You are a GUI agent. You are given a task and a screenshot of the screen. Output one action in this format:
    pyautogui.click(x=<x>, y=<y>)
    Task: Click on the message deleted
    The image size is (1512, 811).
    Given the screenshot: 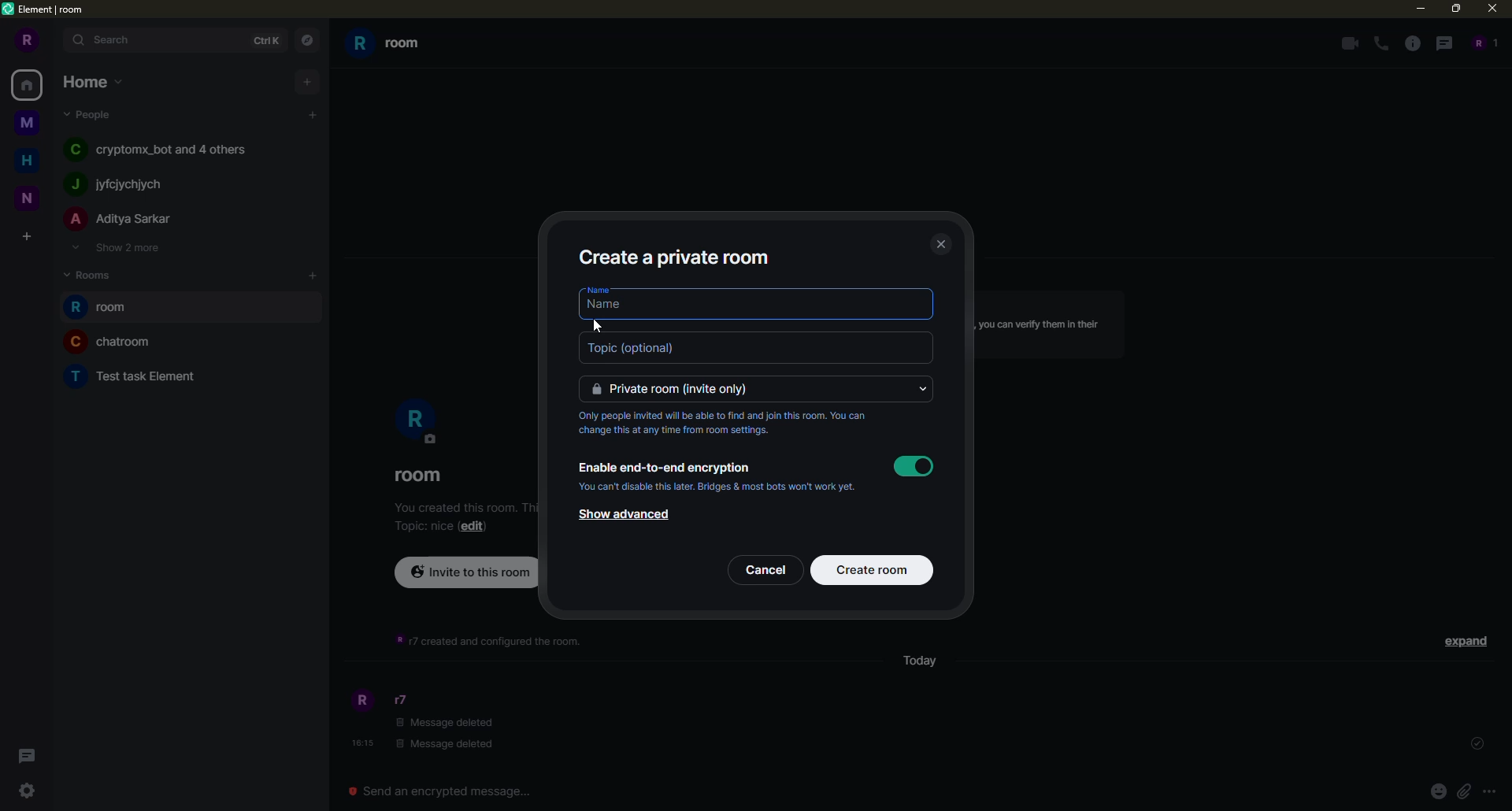 What is the action you would take?
    pyautogui.click(x=452, y=733)
    